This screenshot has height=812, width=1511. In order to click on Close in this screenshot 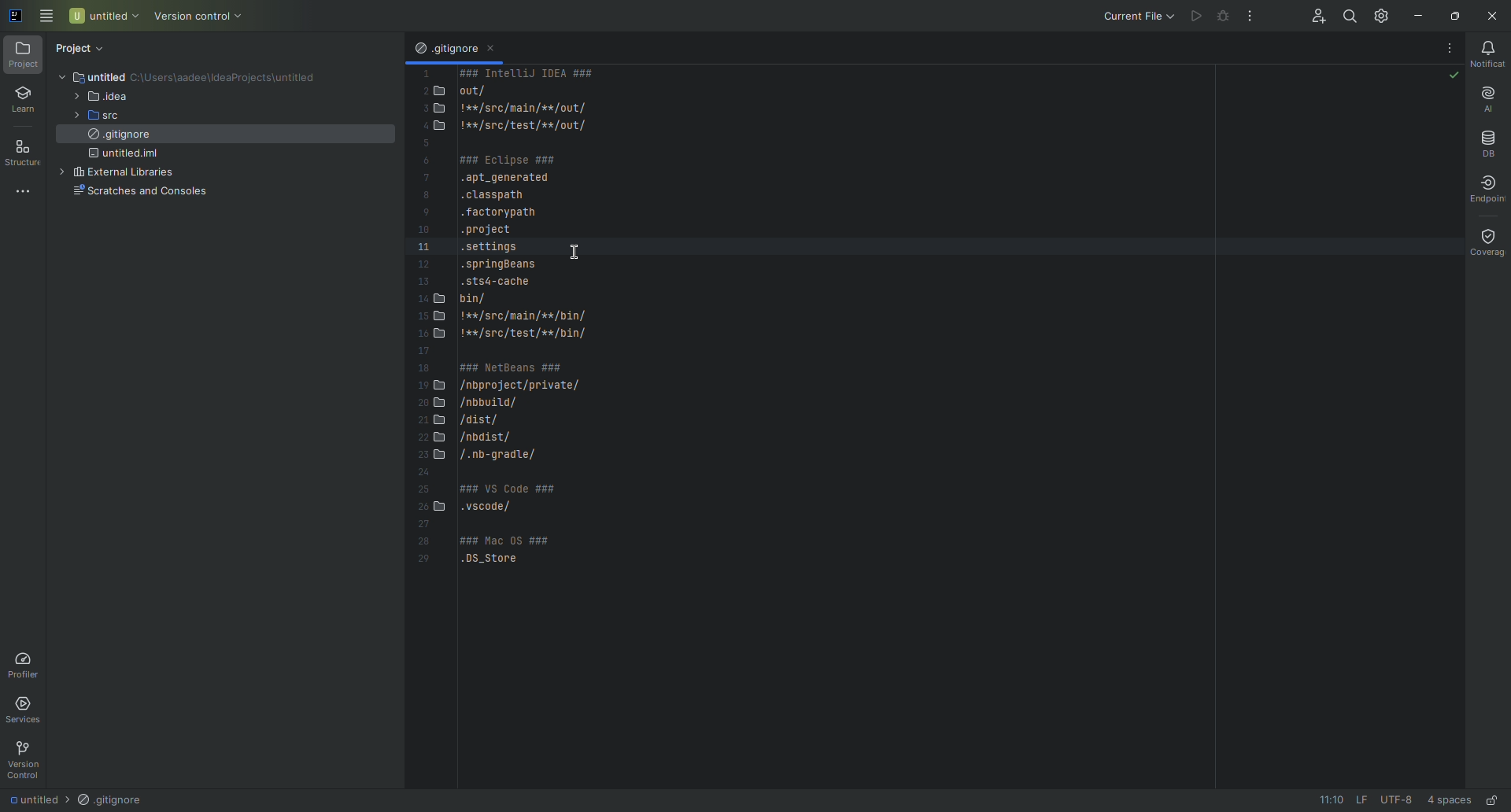, I will do `click(496, 51)`.